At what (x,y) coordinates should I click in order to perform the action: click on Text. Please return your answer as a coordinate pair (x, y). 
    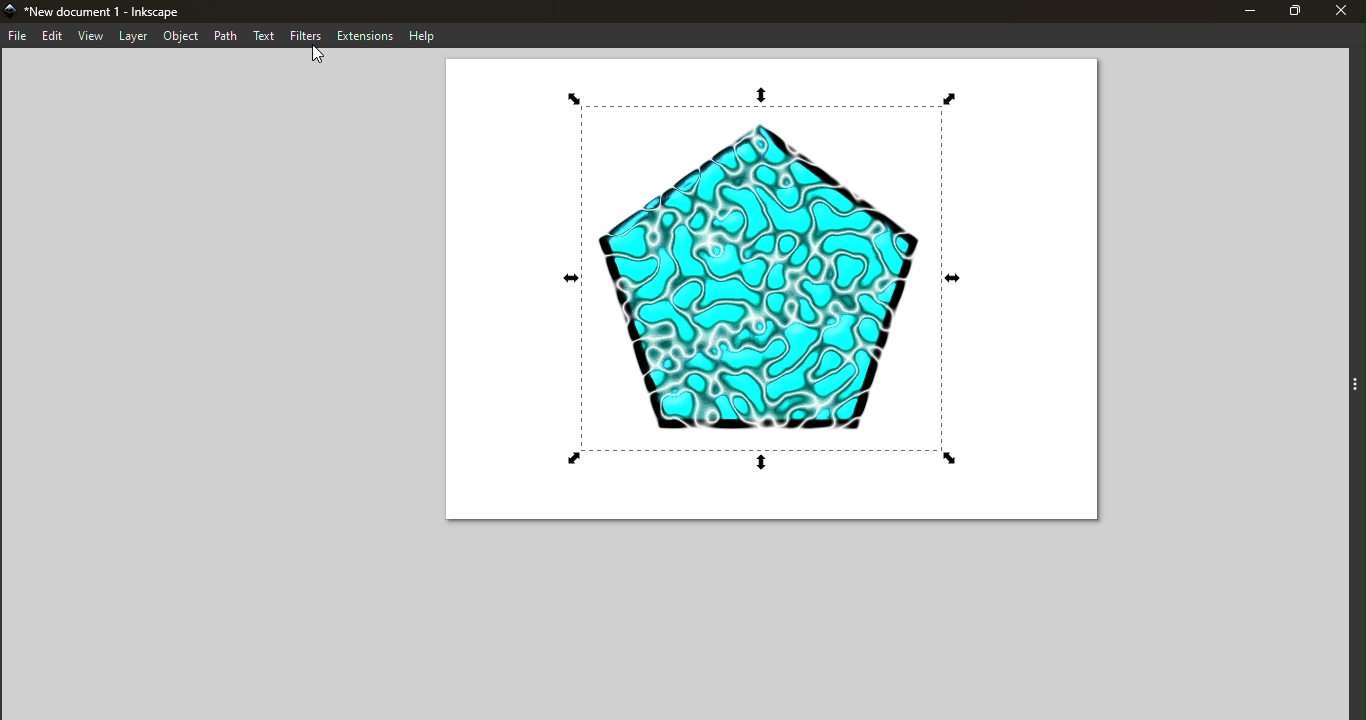
    Looking at the image, I should click on (266, 36).